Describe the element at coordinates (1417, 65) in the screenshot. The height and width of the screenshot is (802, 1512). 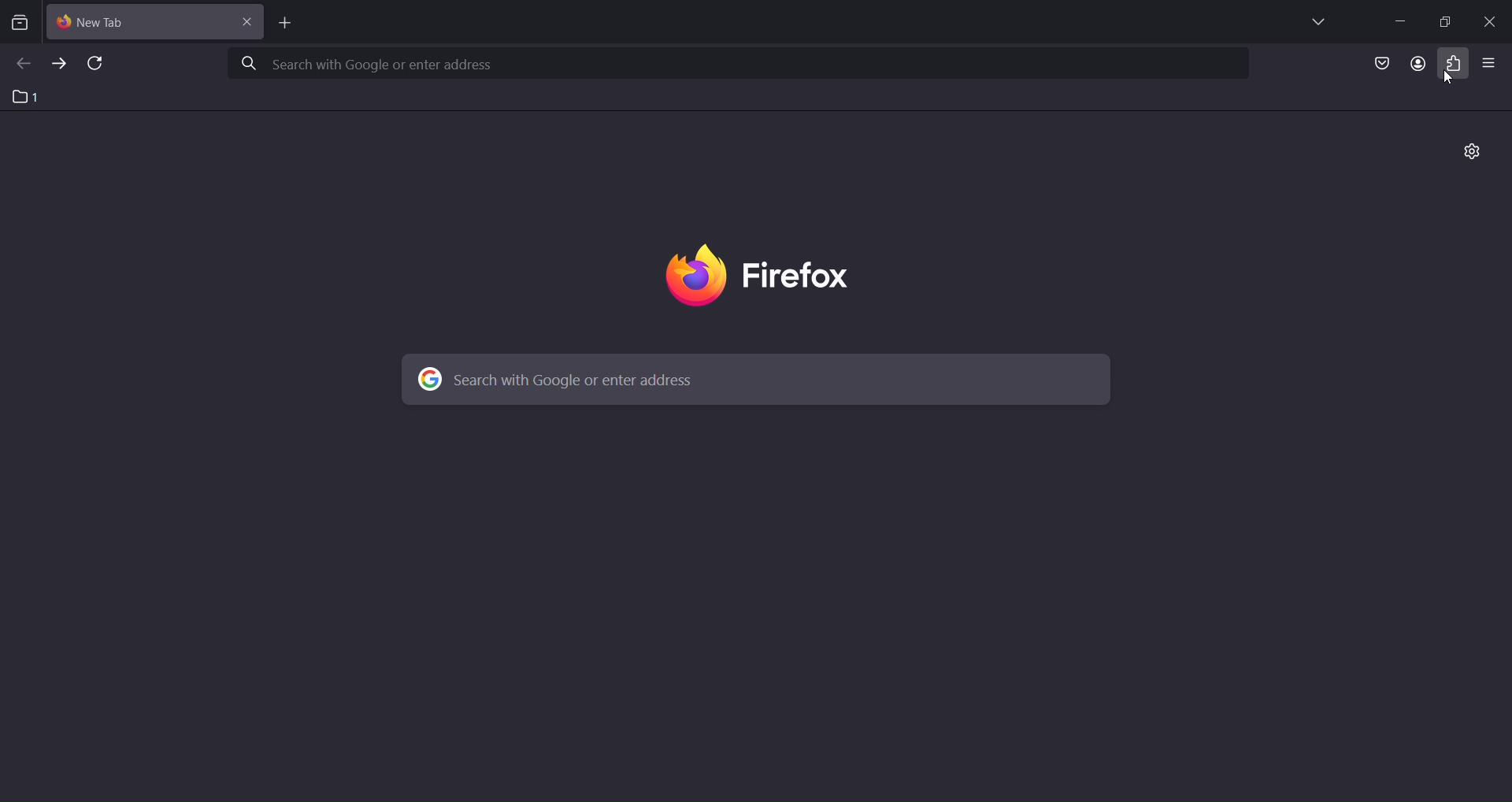
I see `account` at that location.